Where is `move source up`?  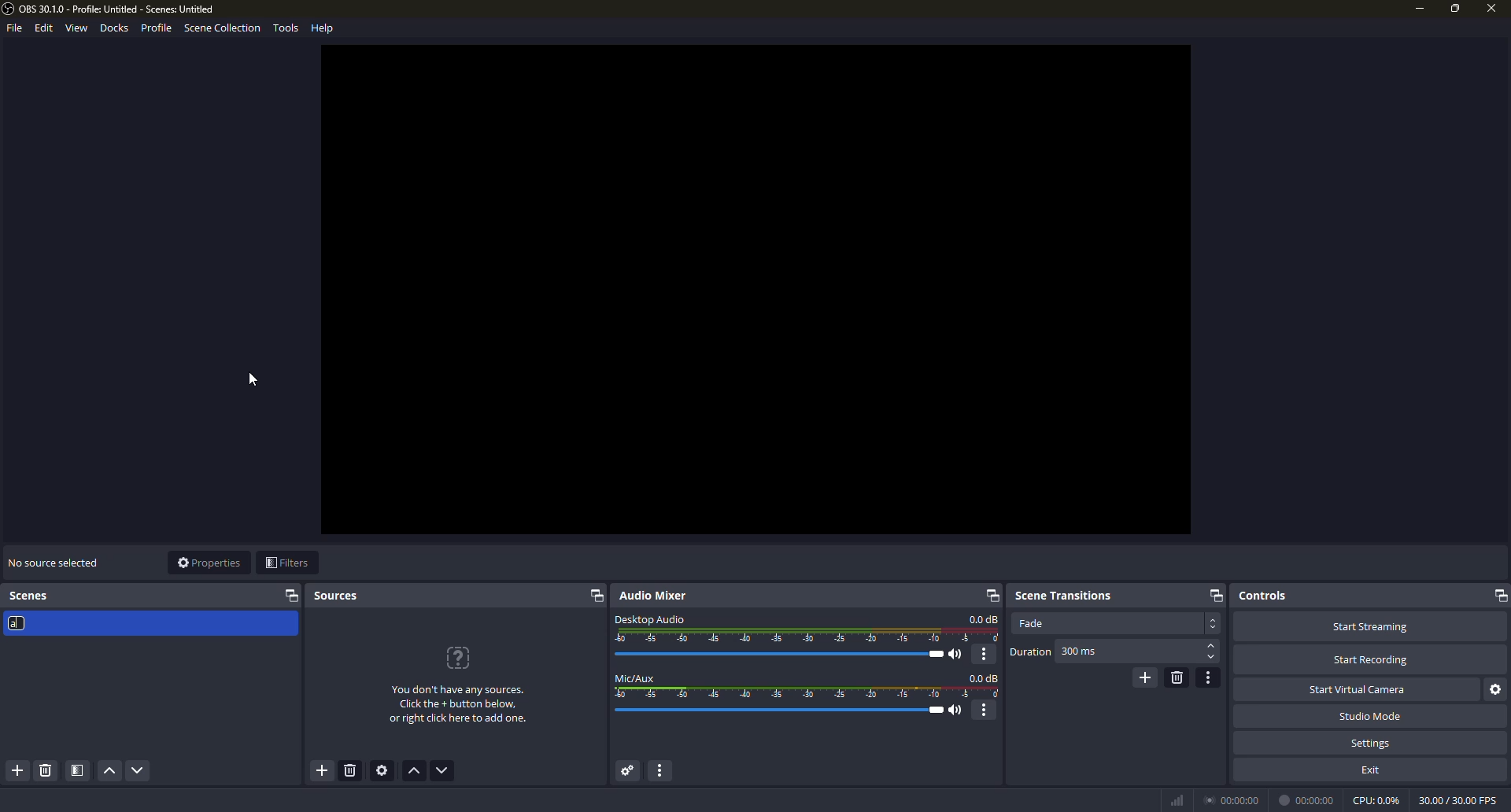 move source up is located at coordinates (416, 772).